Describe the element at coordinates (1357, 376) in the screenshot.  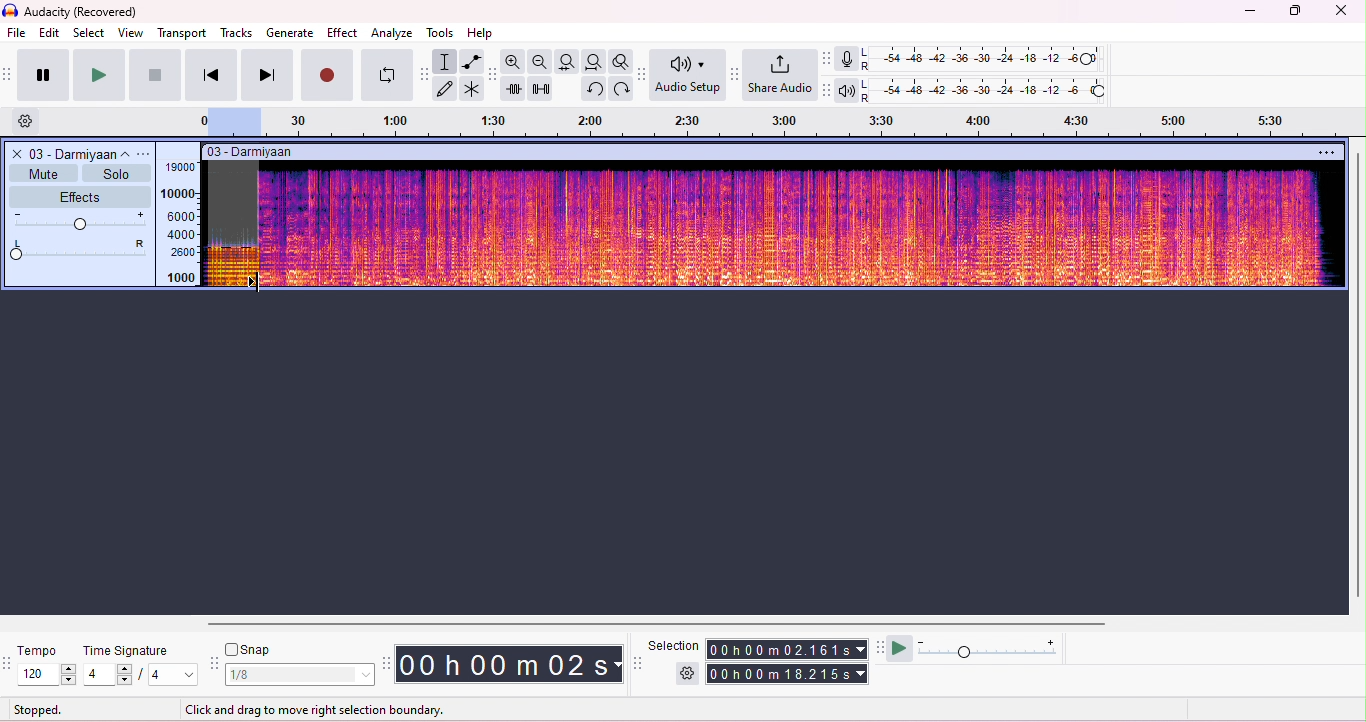
I see `vertical scroll bar` at that location.